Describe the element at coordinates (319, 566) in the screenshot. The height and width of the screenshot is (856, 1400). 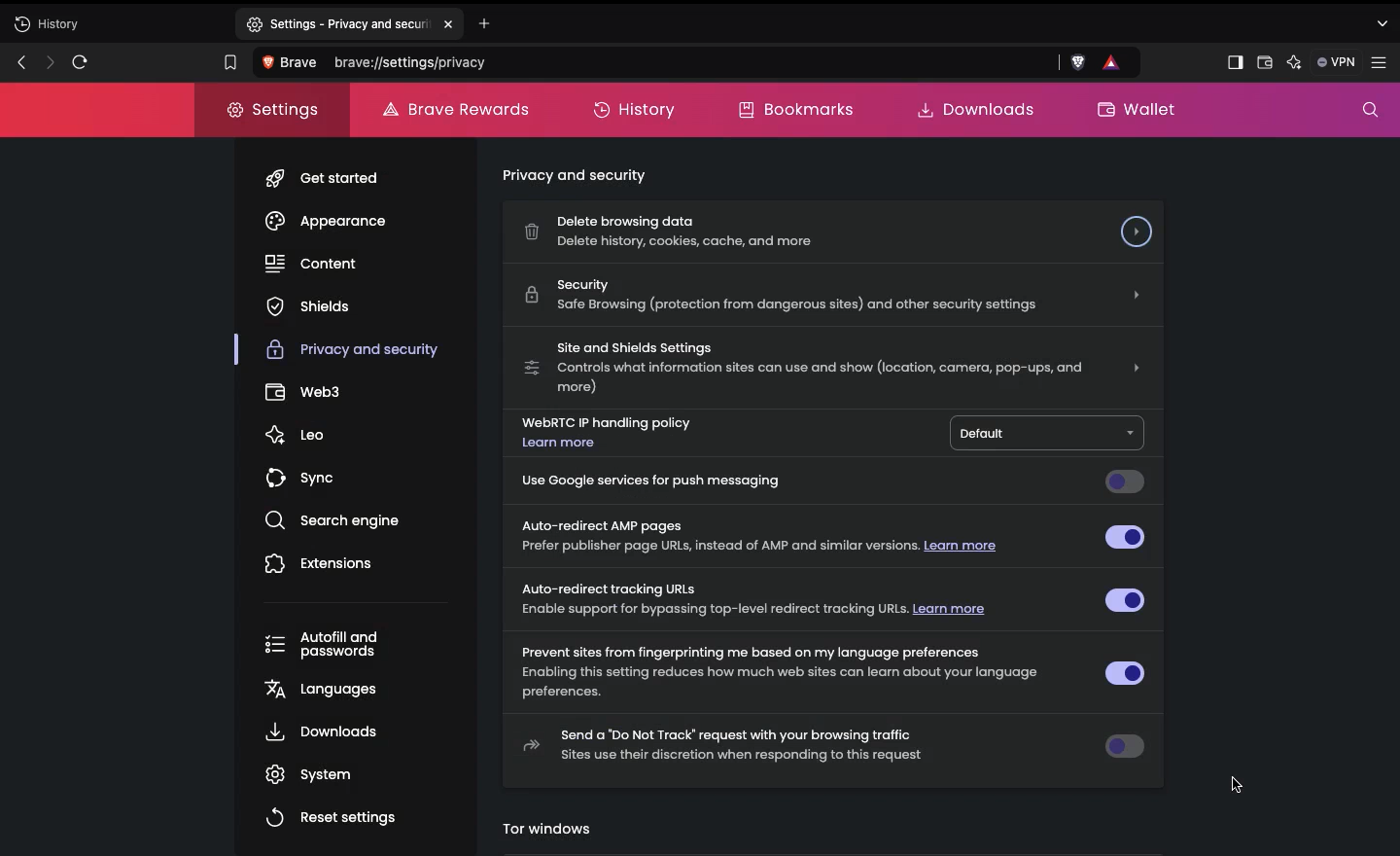
I see `Extensions` at that location.